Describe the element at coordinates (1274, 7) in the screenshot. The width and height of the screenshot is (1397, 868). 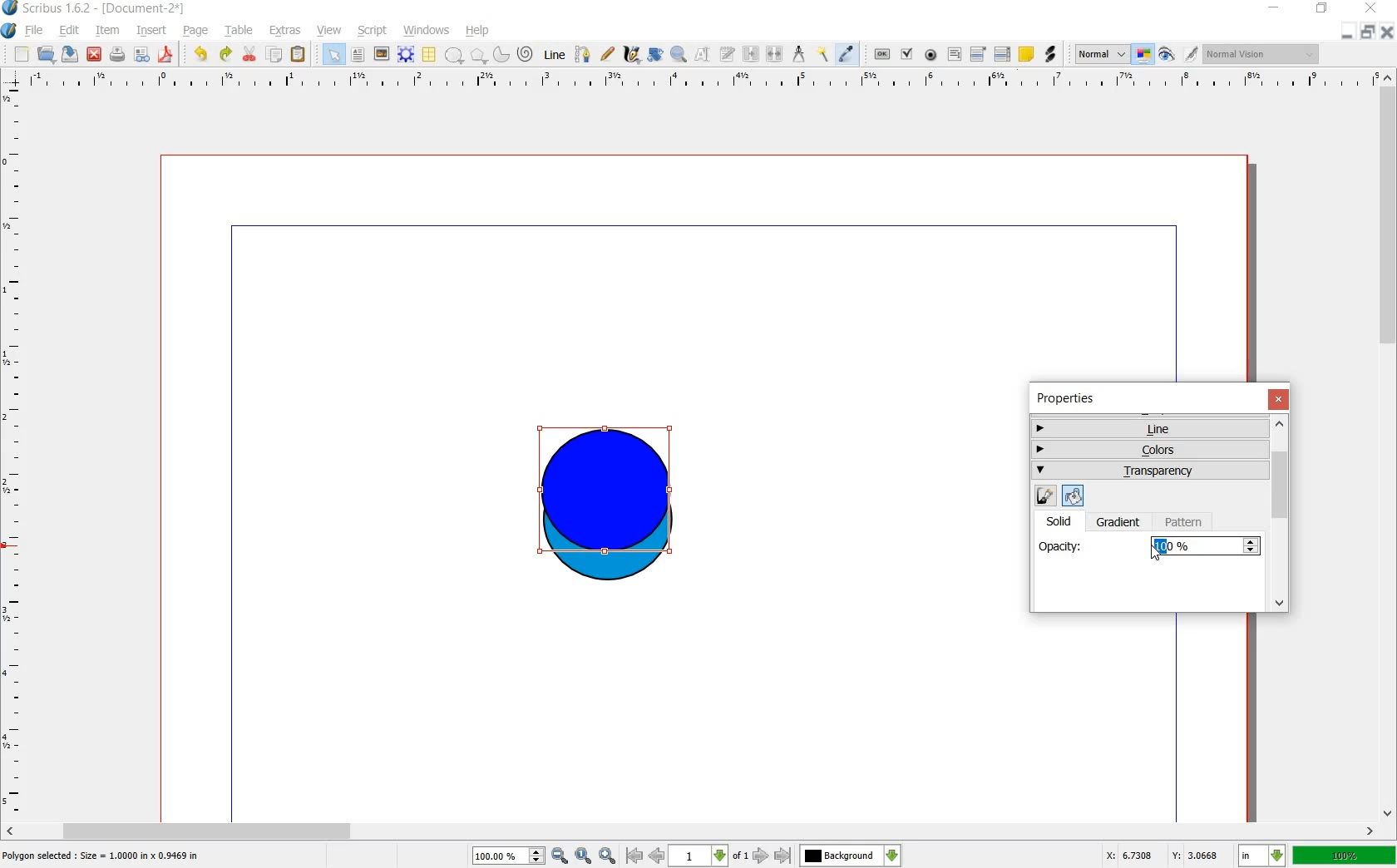
I see `minimize` at that location.